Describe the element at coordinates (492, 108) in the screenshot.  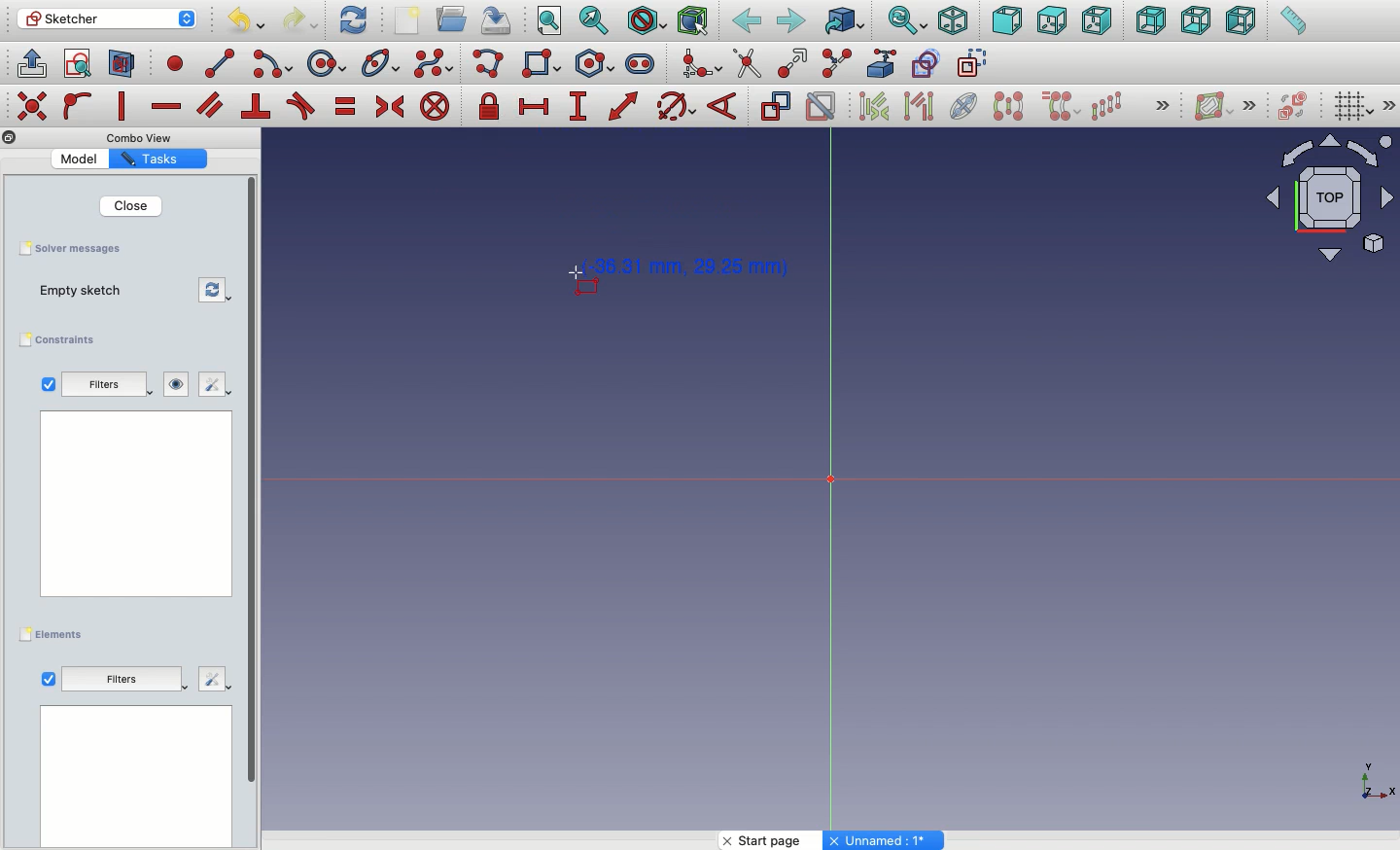
I see `constrain lock` at that location.